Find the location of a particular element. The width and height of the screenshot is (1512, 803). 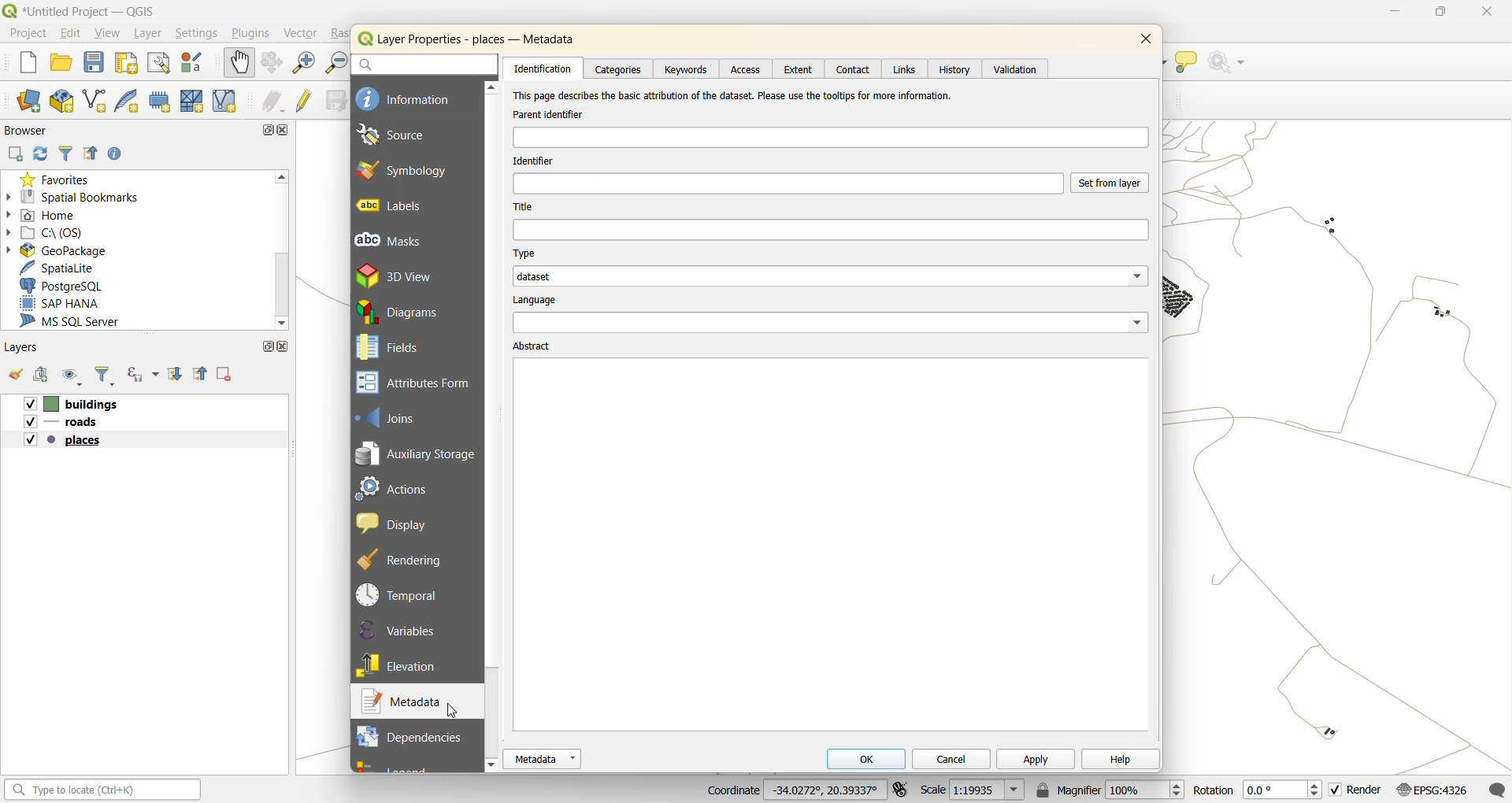

magnifier is located at coordinates (1110, 790).